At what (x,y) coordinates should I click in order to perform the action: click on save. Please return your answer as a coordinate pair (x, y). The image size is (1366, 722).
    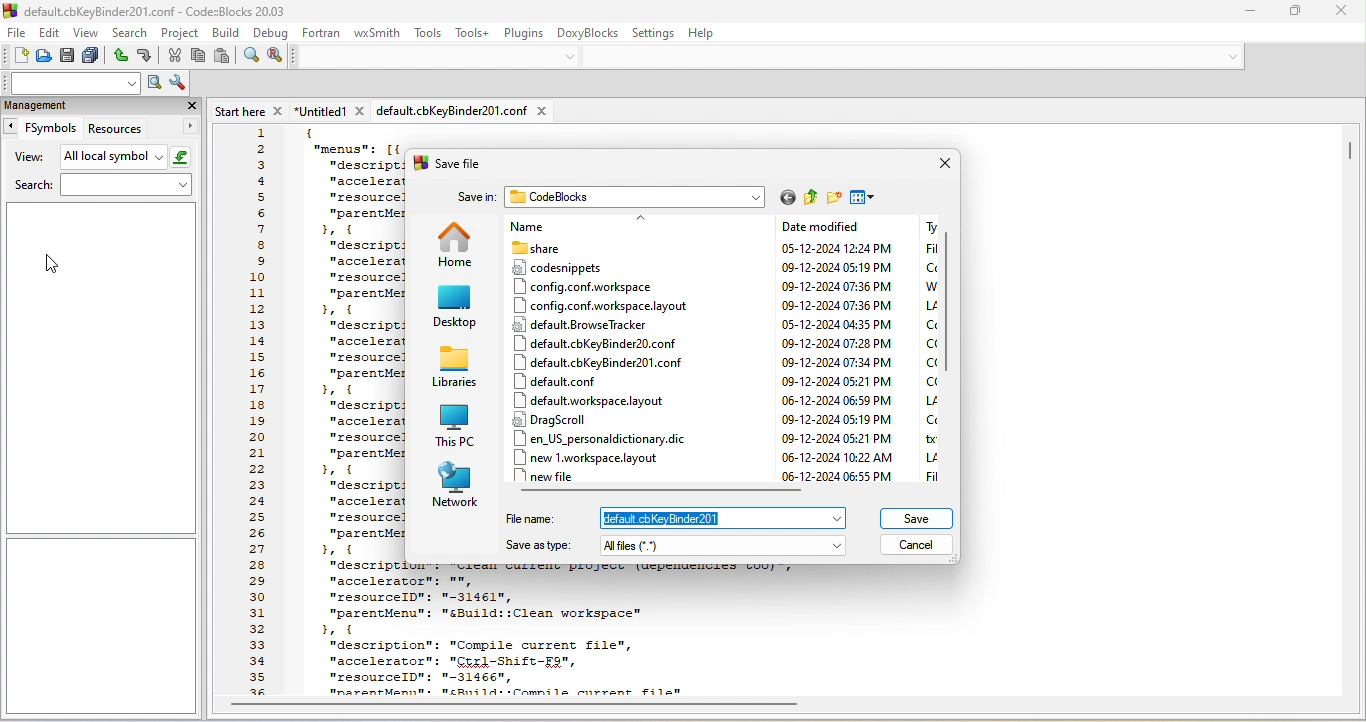
    Looking at the image, I should click on (918, 519).